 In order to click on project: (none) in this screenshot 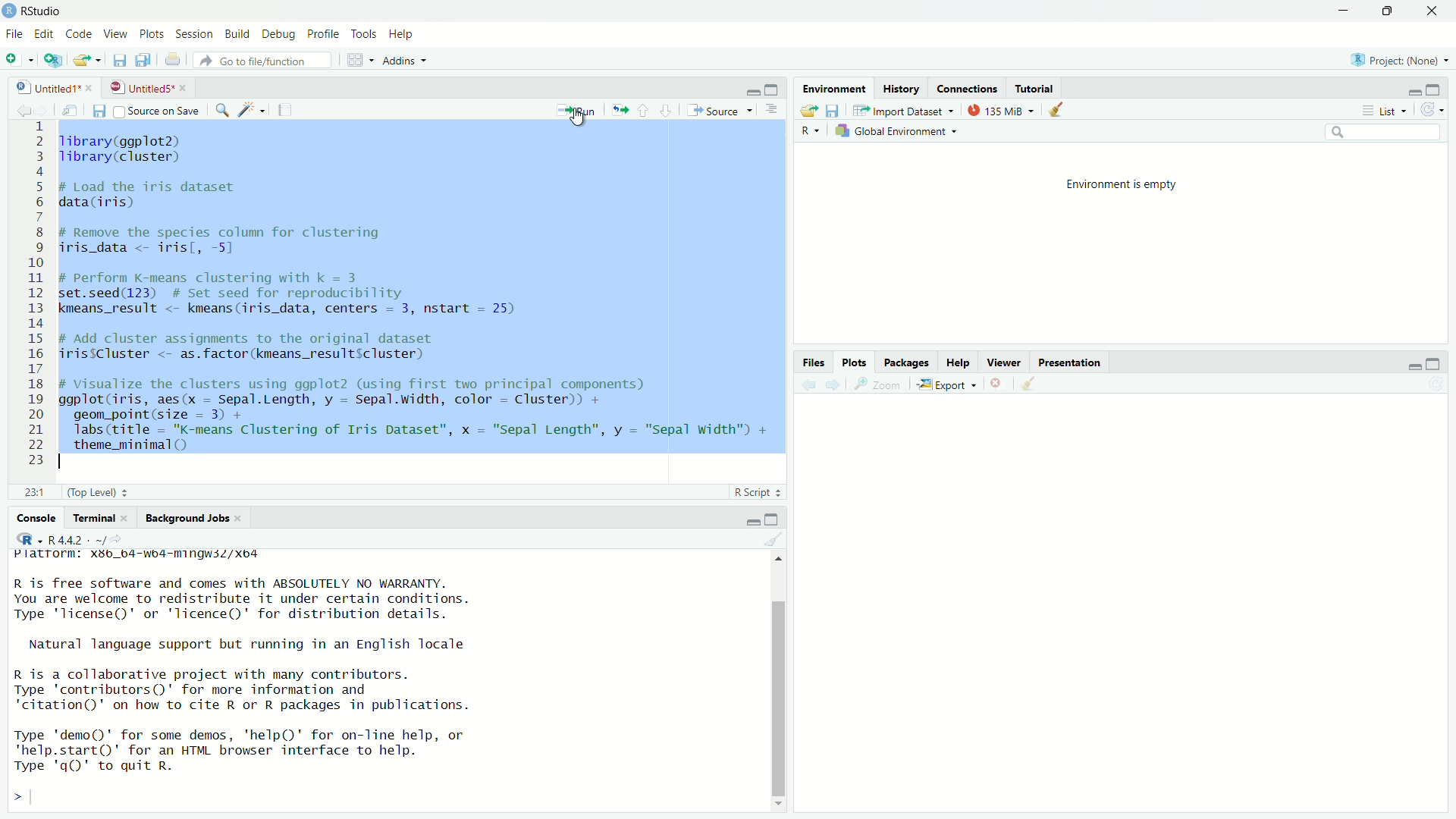, I will do `click(1397, 62)`.